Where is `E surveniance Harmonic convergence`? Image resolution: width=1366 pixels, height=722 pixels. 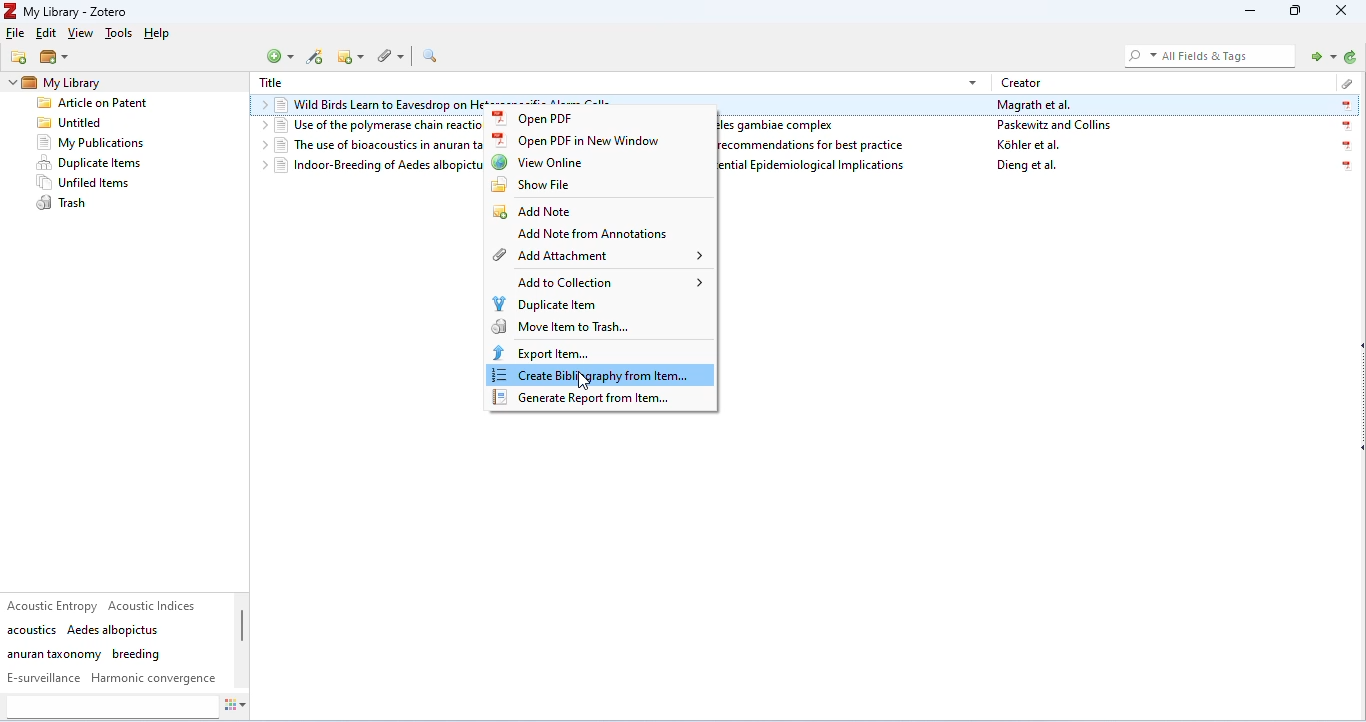 E surveniance Harmonic convergence is located at coordinates (112, 678).